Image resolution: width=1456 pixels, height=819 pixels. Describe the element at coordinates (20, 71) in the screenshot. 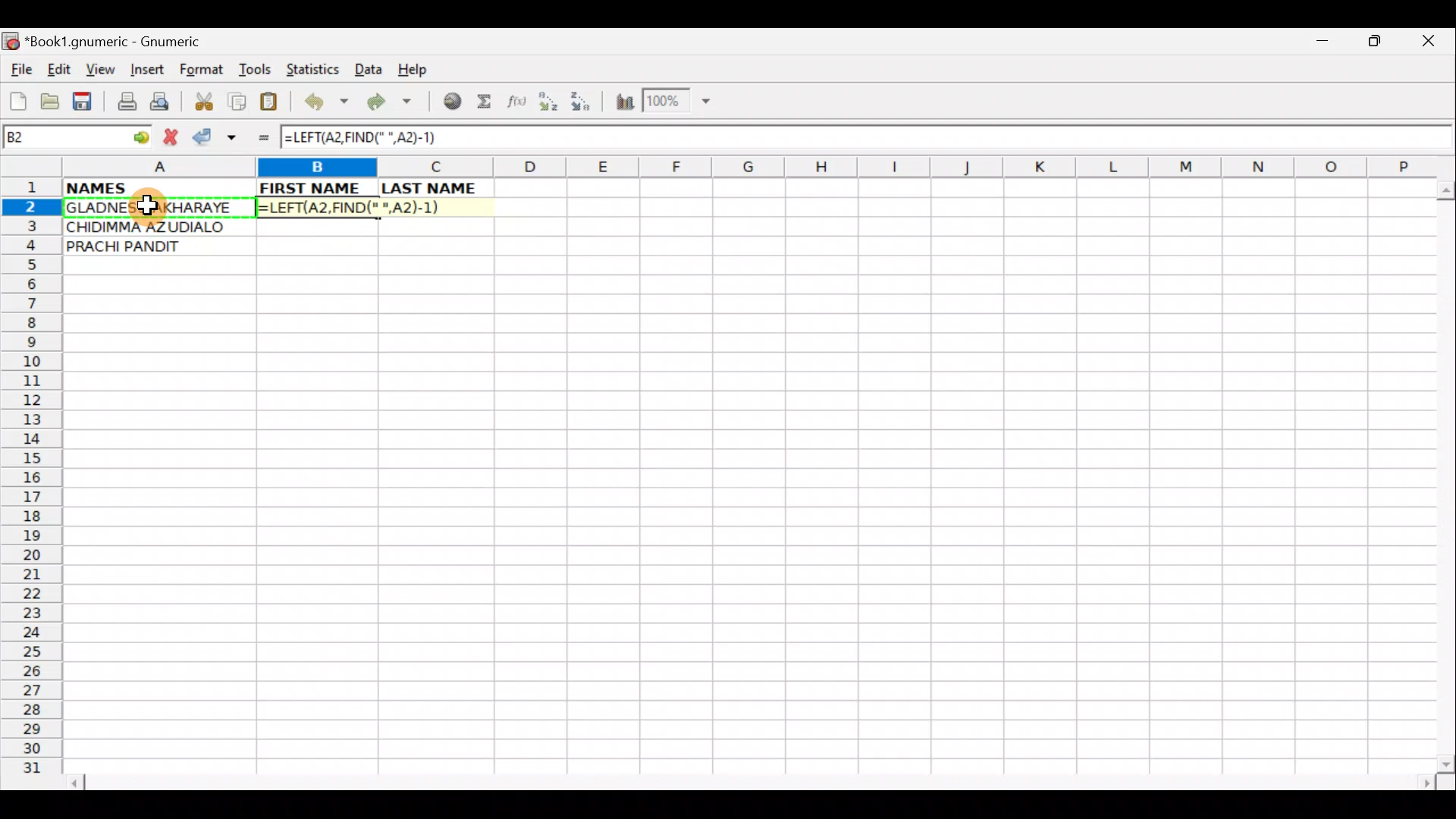

I see `File` at that location.